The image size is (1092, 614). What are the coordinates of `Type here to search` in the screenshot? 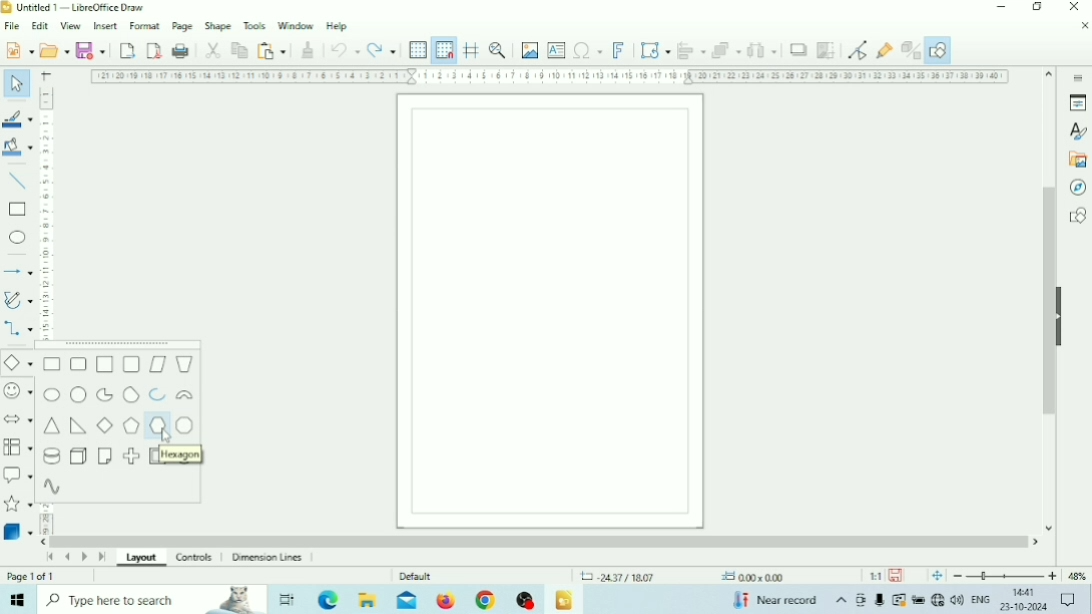 It's located at (152, 599).